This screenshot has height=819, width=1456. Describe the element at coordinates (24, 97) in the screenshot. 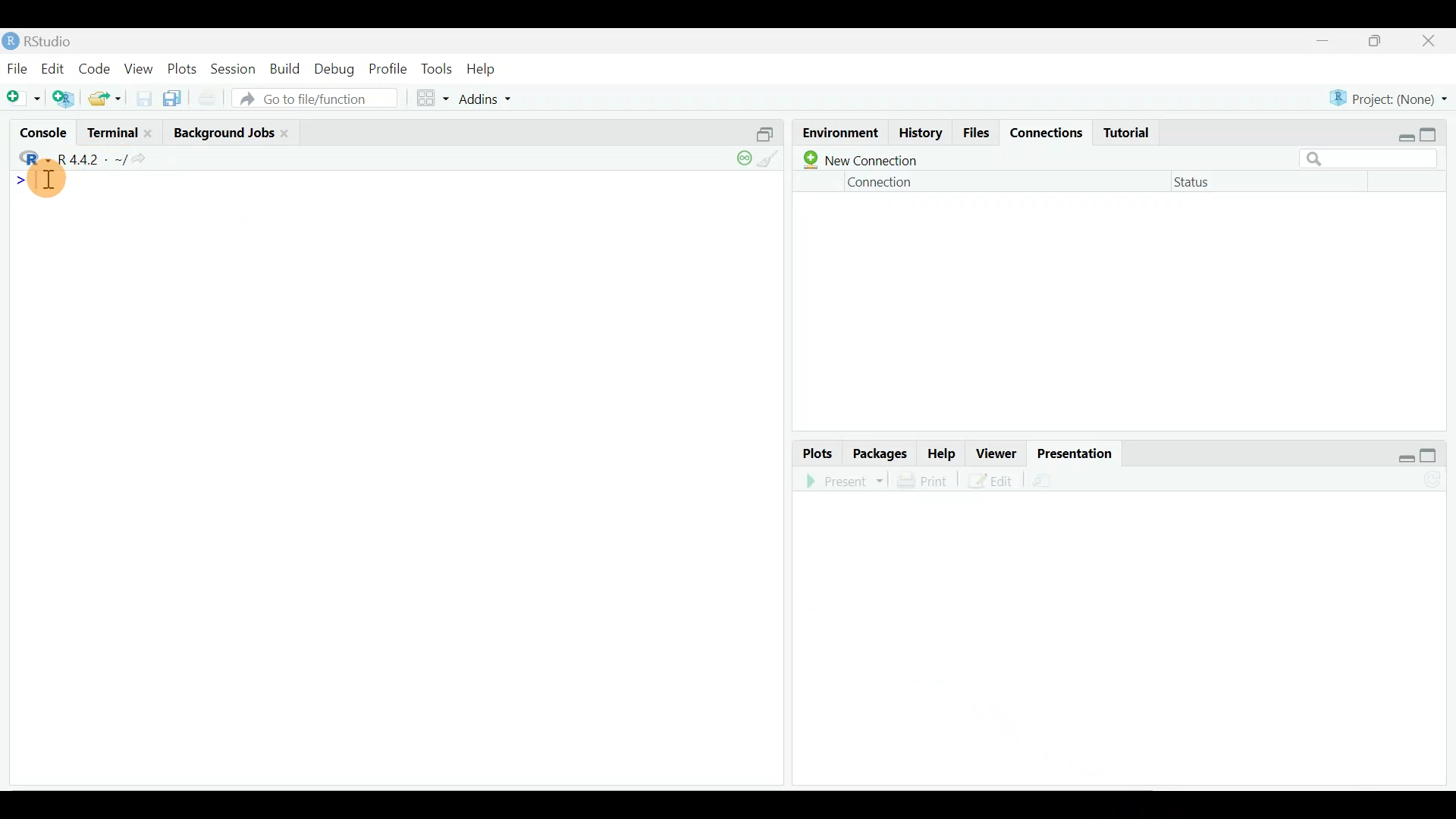

I see `New file` at that location.